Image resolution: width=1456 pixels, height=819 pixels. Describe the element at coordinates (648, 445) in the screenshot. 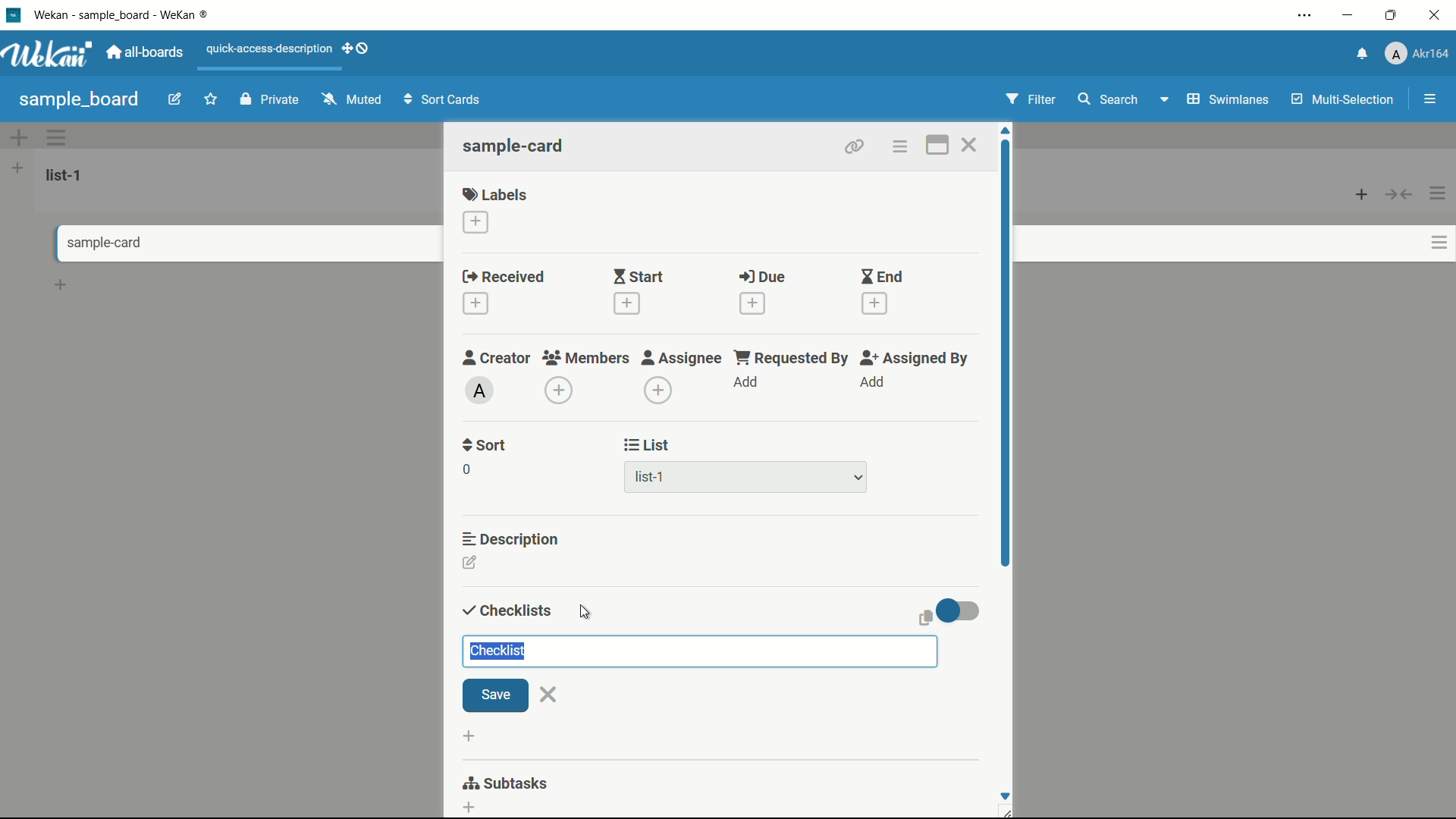

I see `list` at that location.